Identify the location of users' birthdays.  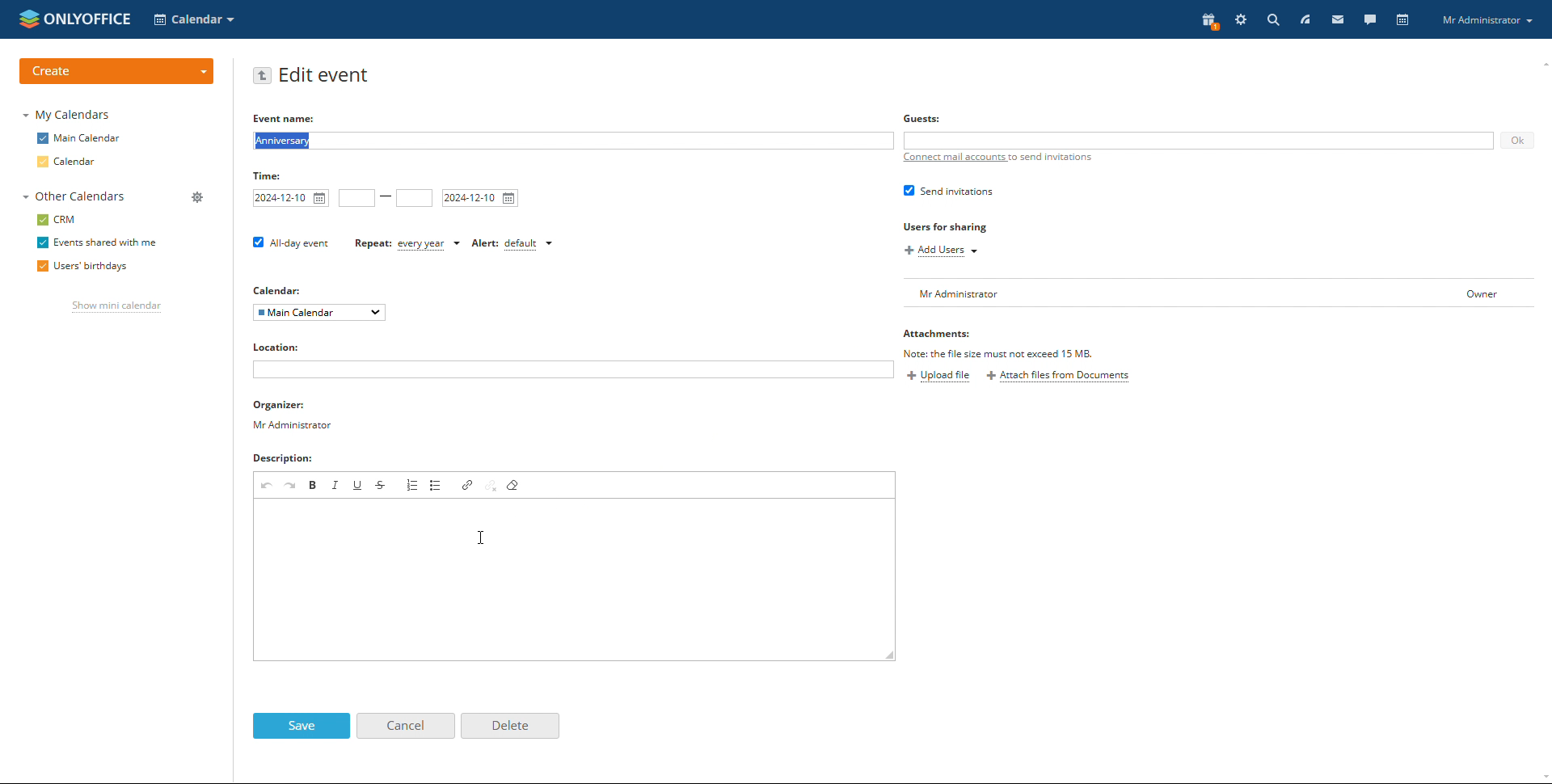
(81, 268).